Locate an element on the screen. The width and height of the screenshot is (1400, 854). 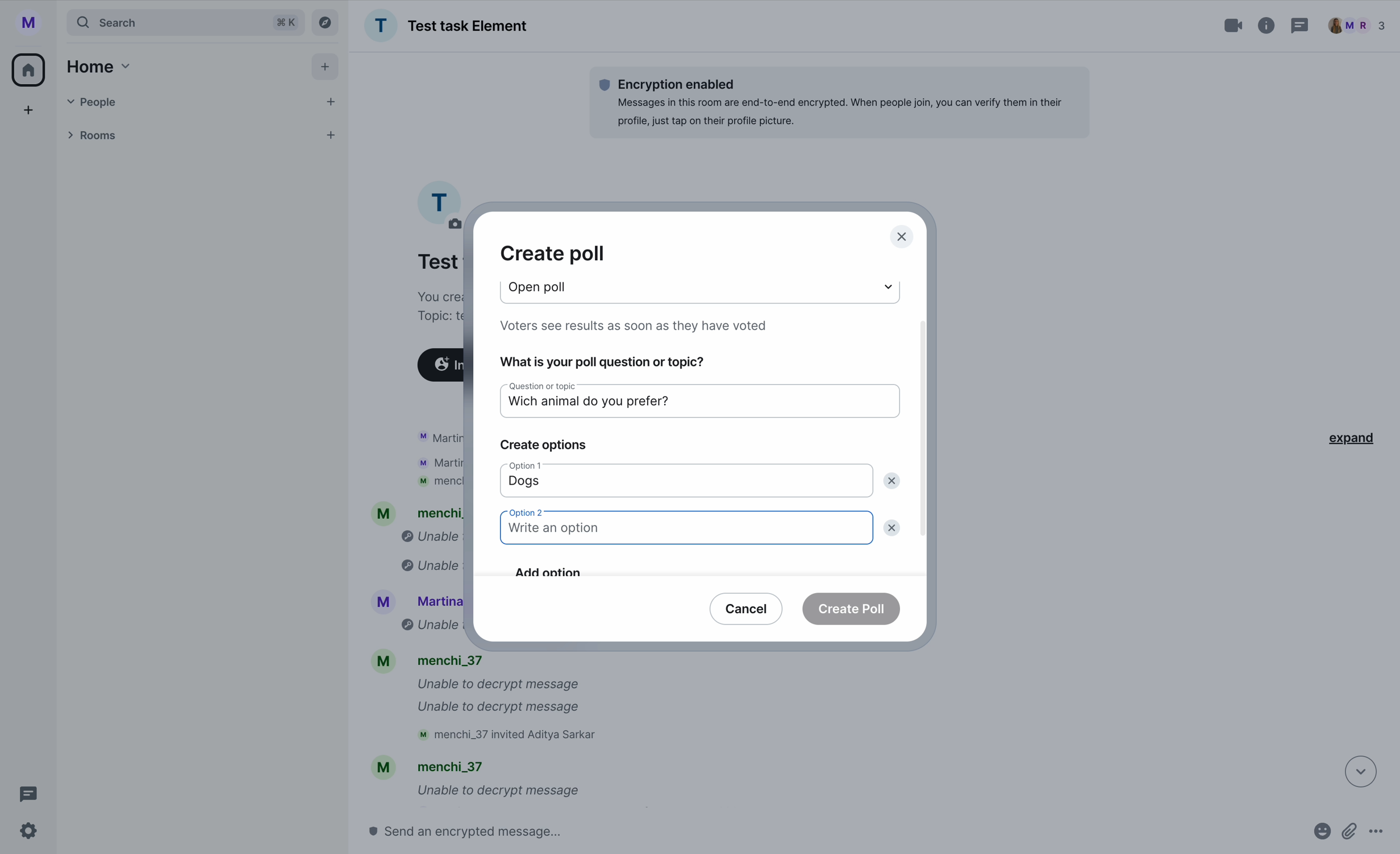
write an option is located at coordinates (561, 533).